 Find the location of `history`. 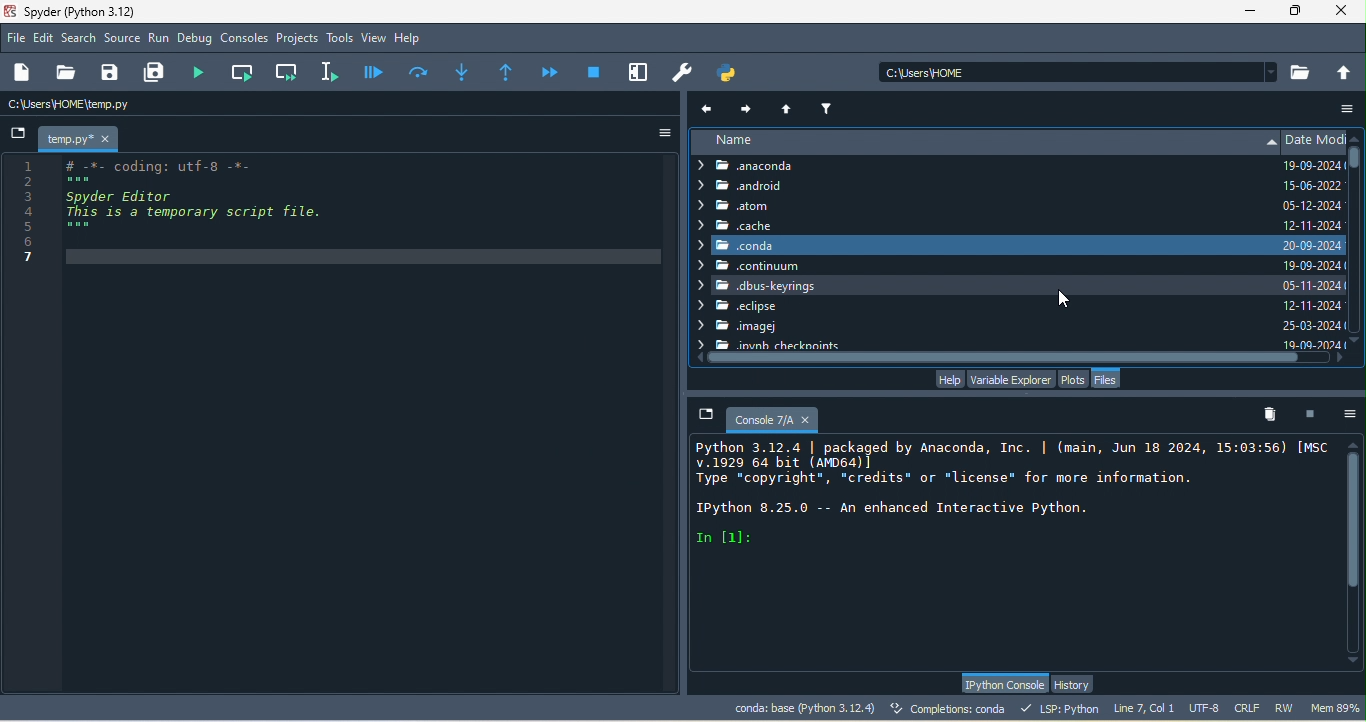

history is located at coordinates (1076, 684).